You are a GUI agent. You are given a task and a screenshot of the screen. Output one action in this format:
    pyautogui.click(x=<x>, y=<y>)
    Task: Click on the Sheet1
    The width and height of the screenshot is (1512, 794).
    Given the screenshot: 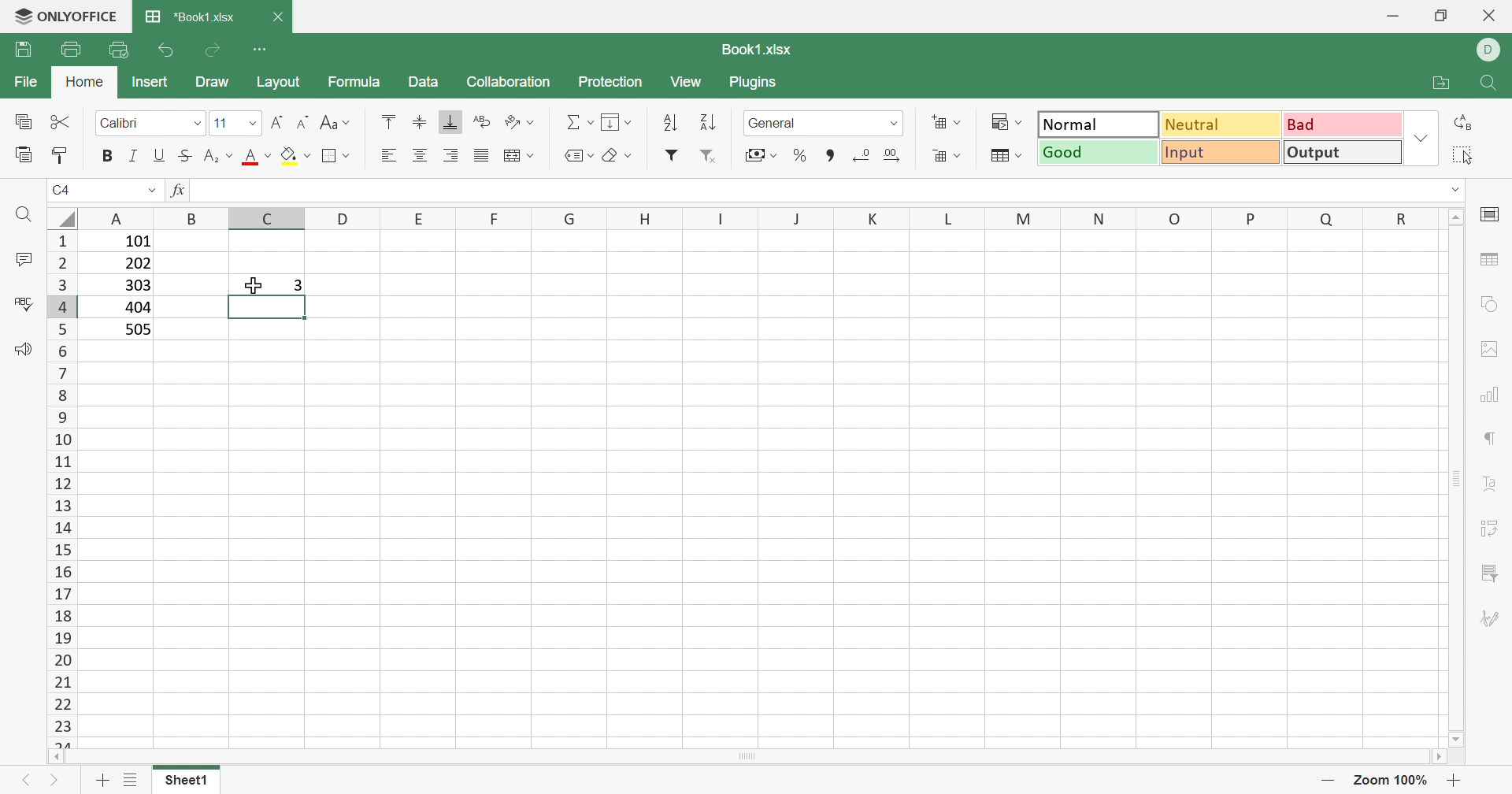 What is the action you would take?
    pyautogui.click(x=186, y=780)
    